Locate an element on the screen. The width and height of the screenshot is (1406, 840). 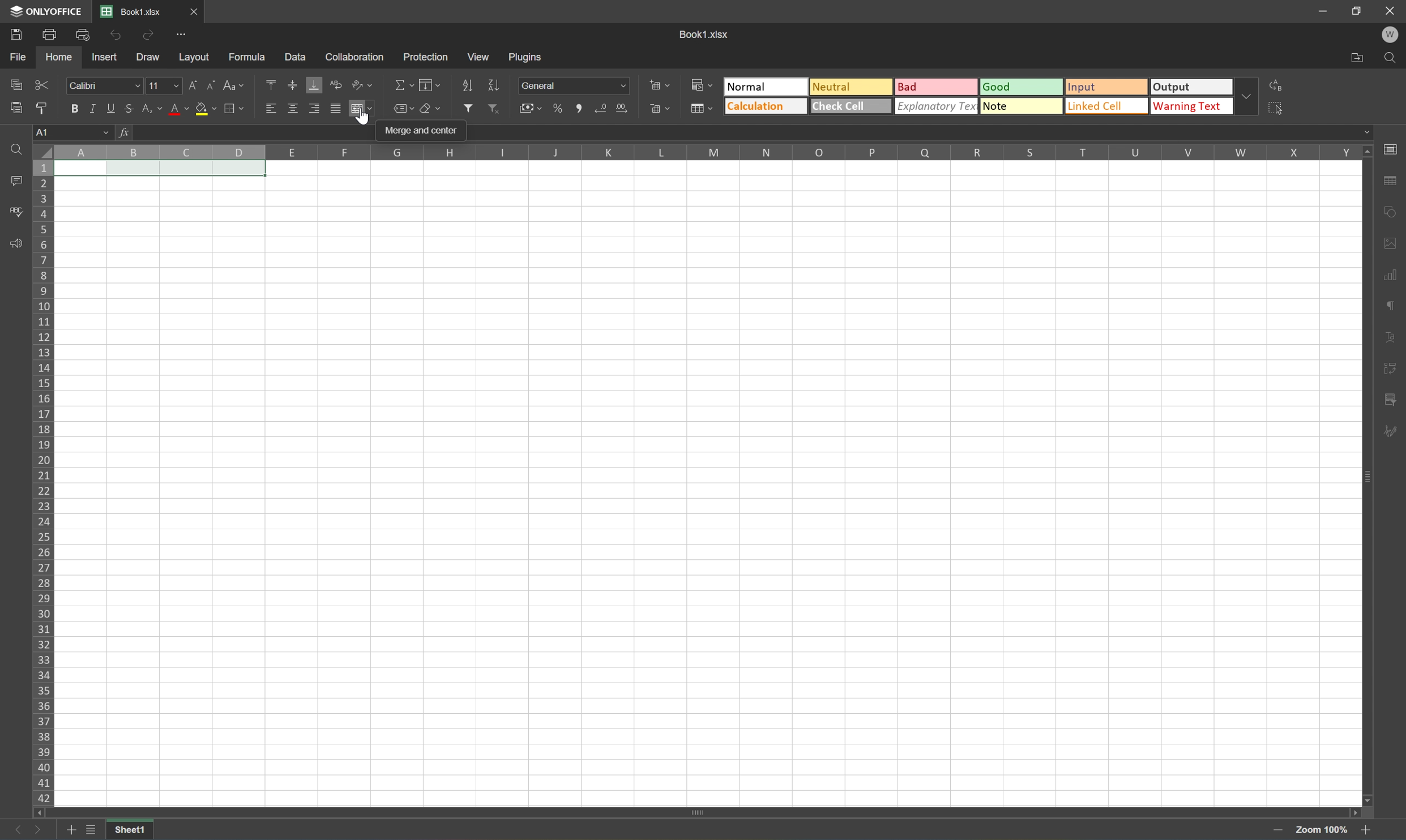
Sheet1 is located at coordinates (131, 831).